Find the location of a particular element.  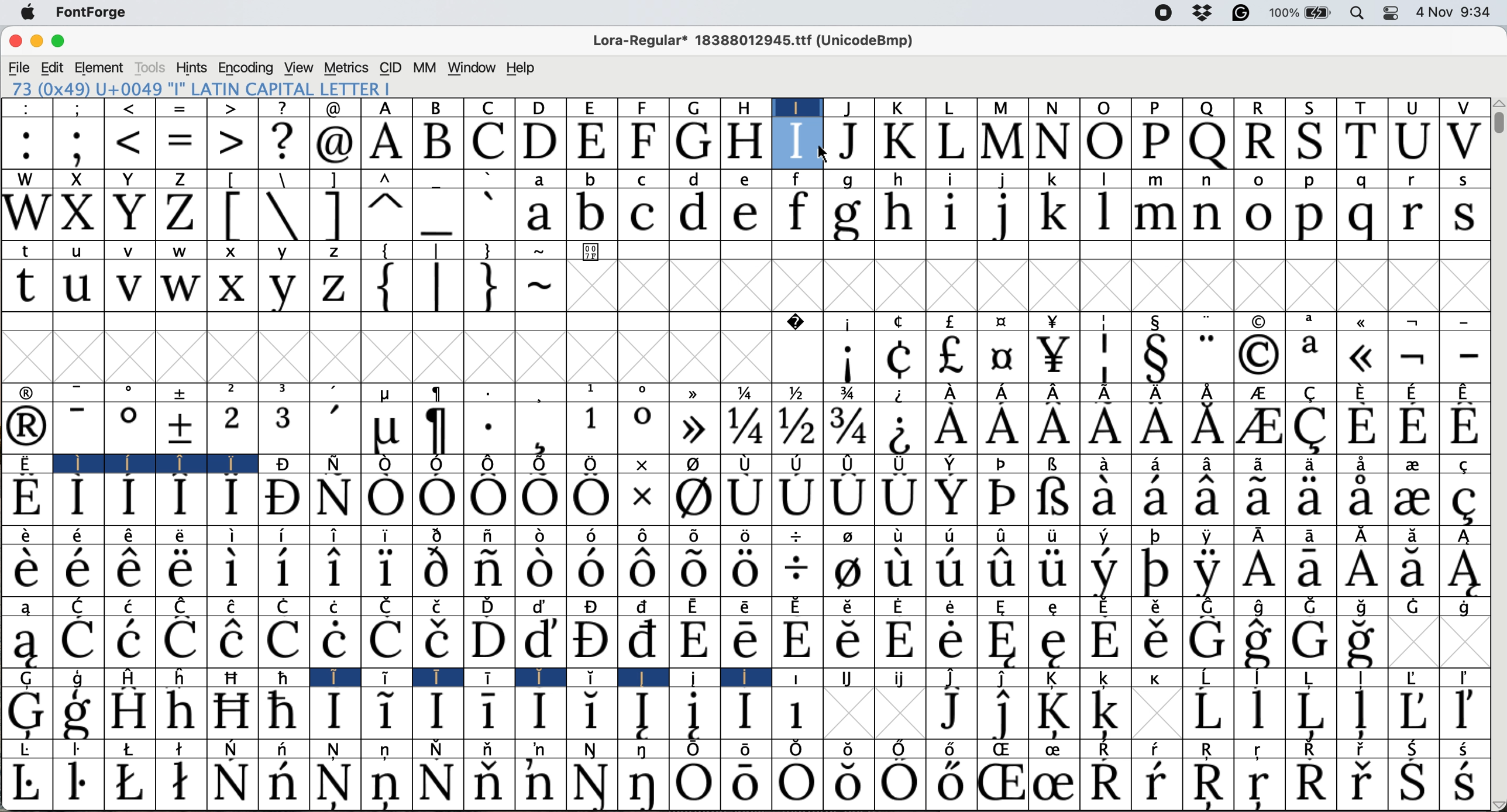

D is located at coordinates (540, 108).